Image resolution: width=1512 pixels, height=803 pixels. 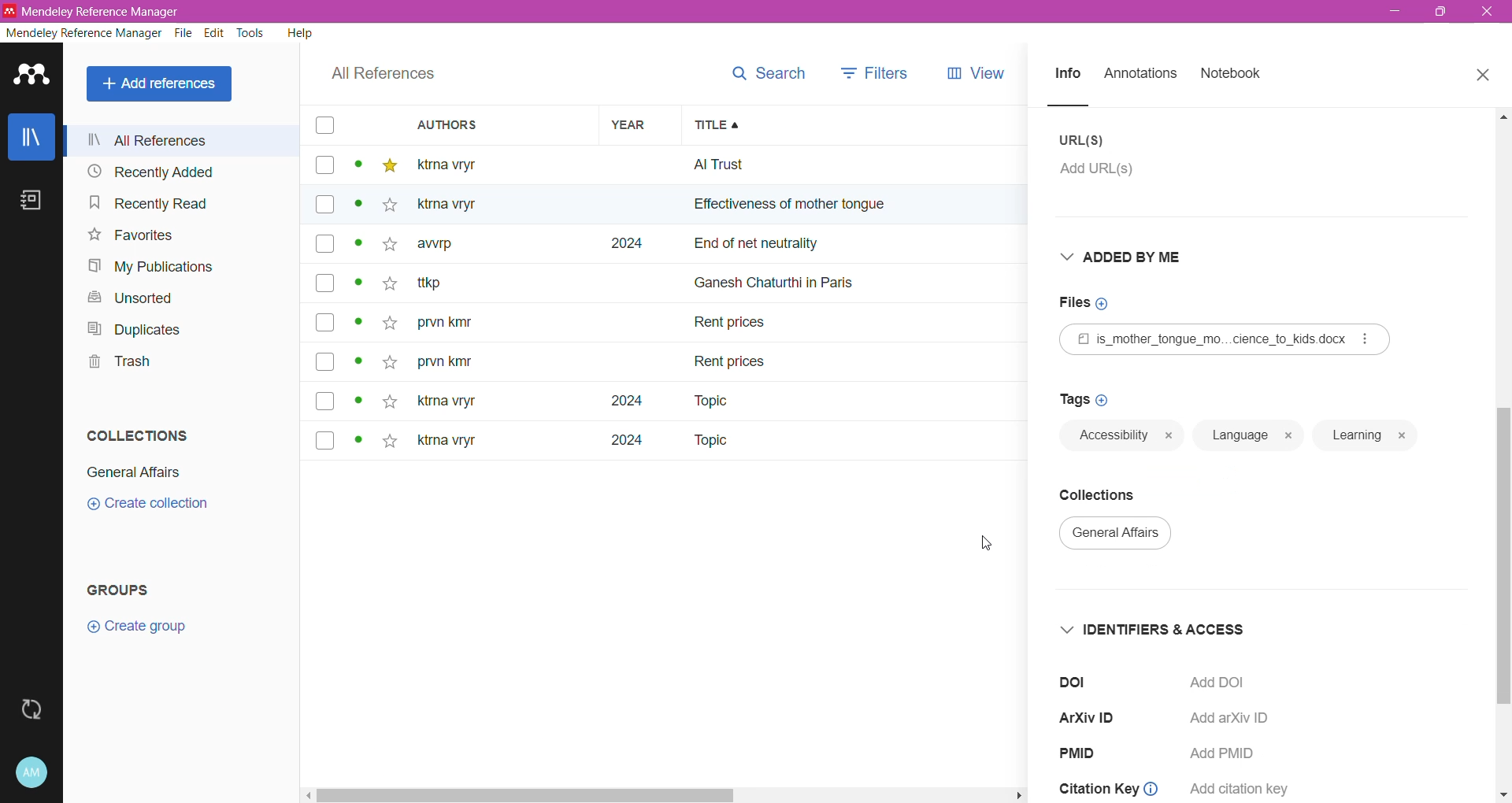 I want to click on All References, so click(x=384, y=74).